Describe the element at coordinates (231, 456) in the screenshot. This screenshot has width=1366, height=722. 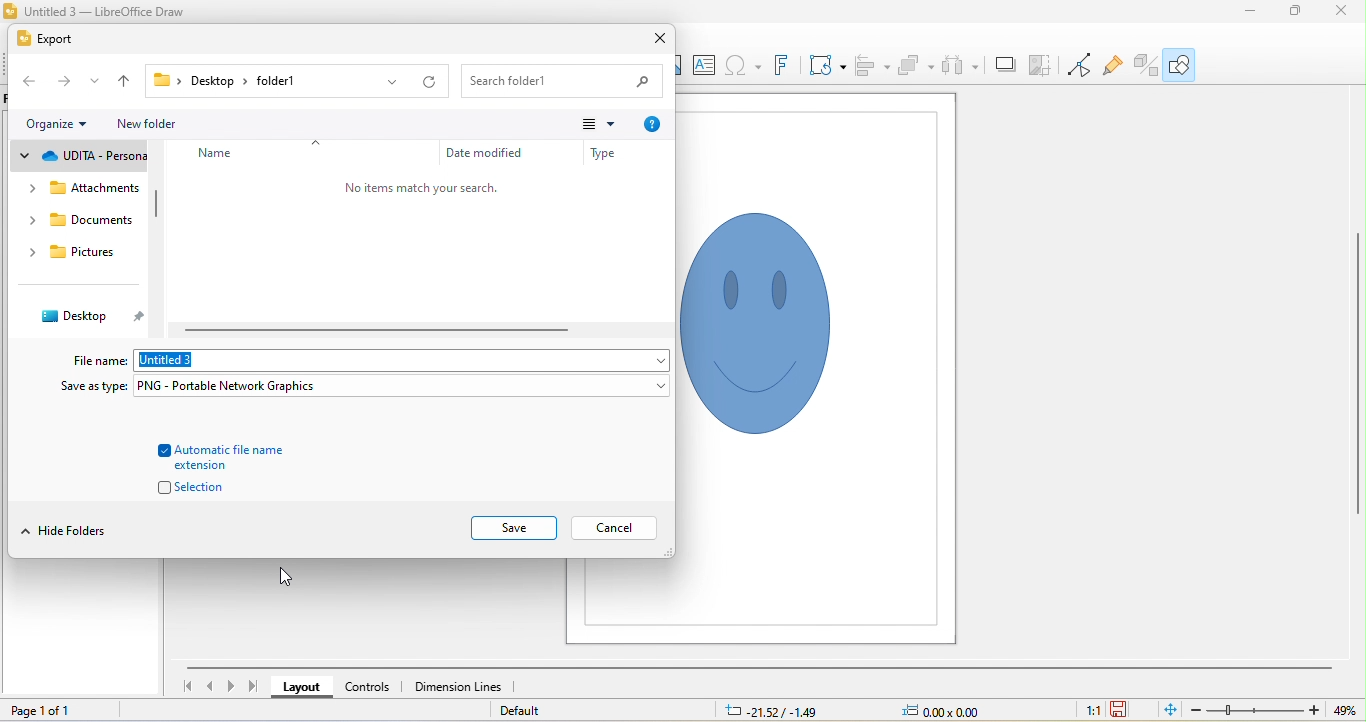
I see `automatic file name extension` at that location.